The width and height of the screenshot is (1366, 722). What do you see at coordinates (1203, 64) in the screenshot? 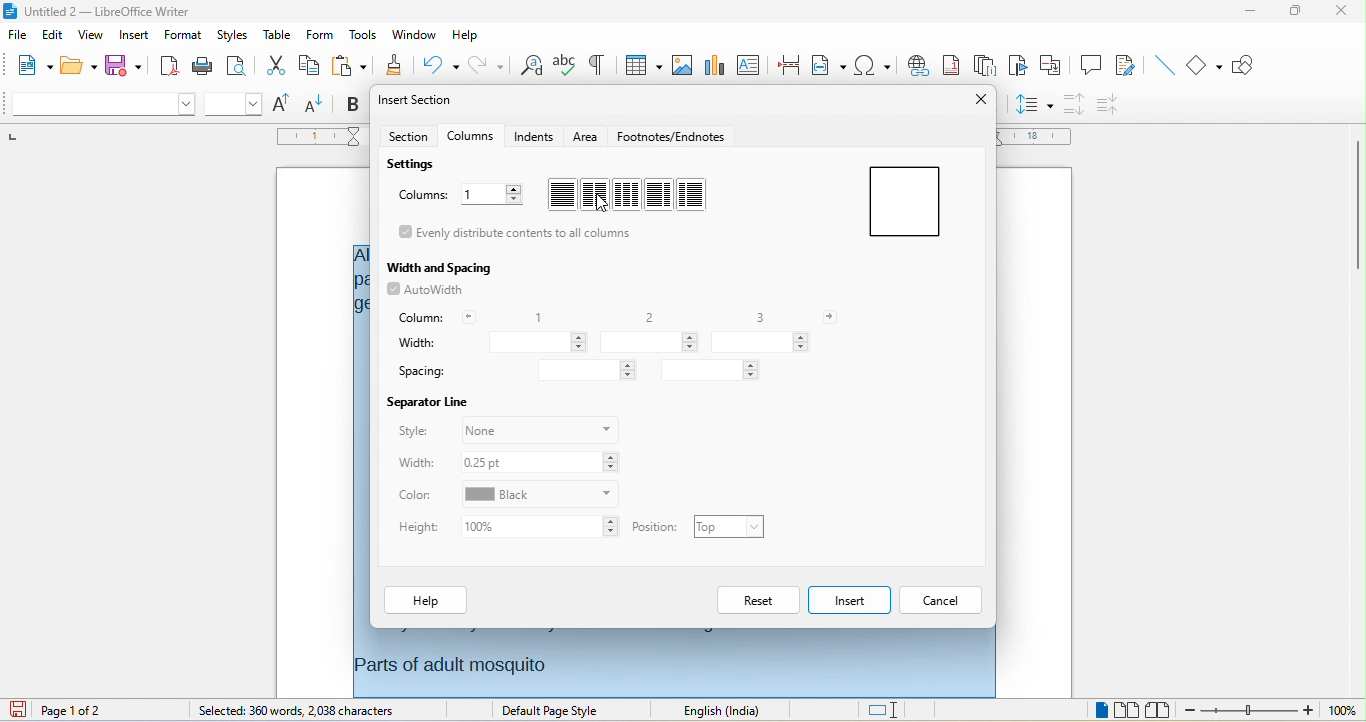
I see `basic shape` at bounding box center [1203, 64].